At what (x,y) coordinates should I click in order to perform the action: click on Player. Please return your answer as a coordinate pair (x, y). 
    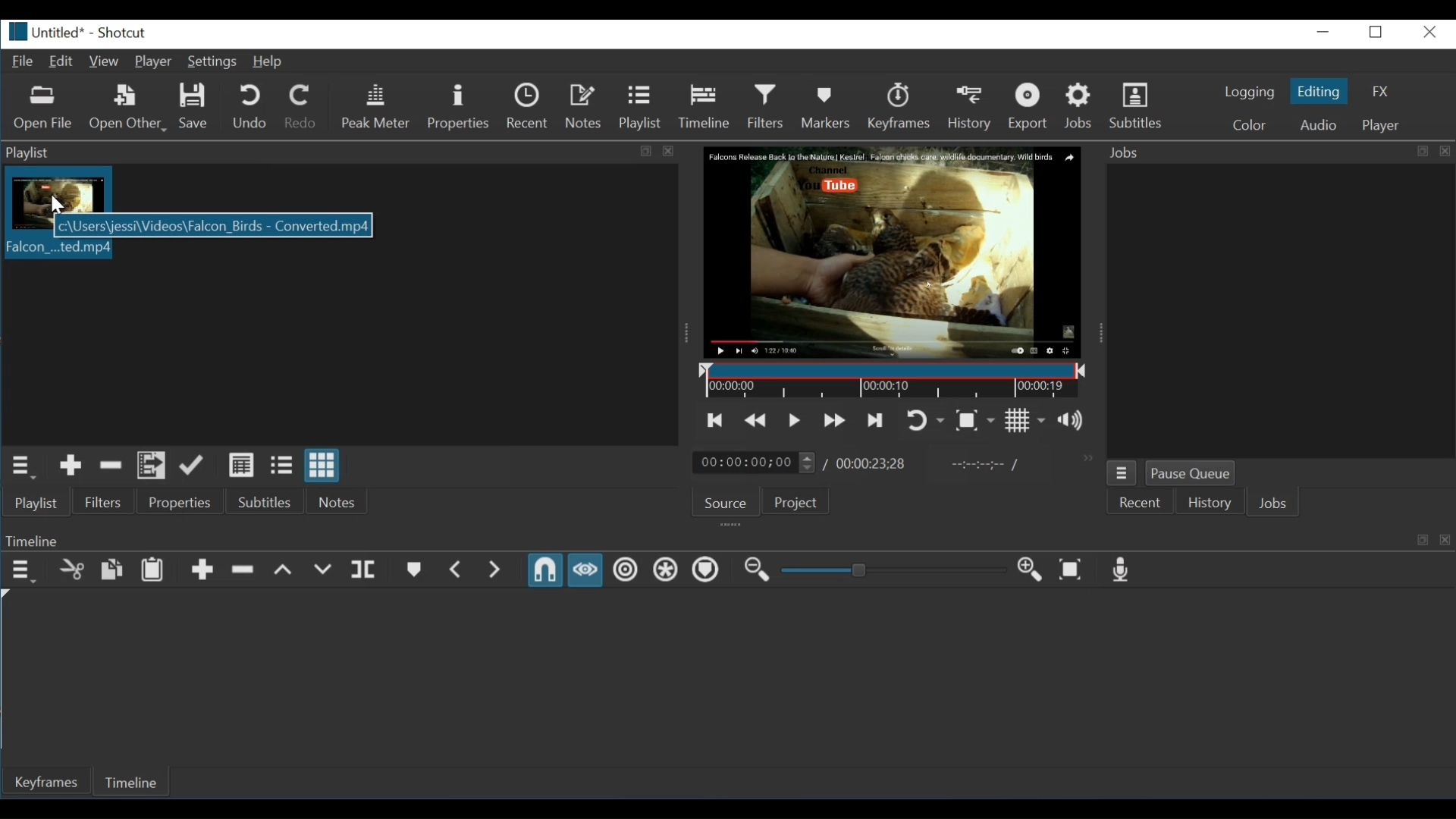
    Looking at the image, I should click on (153, 62).